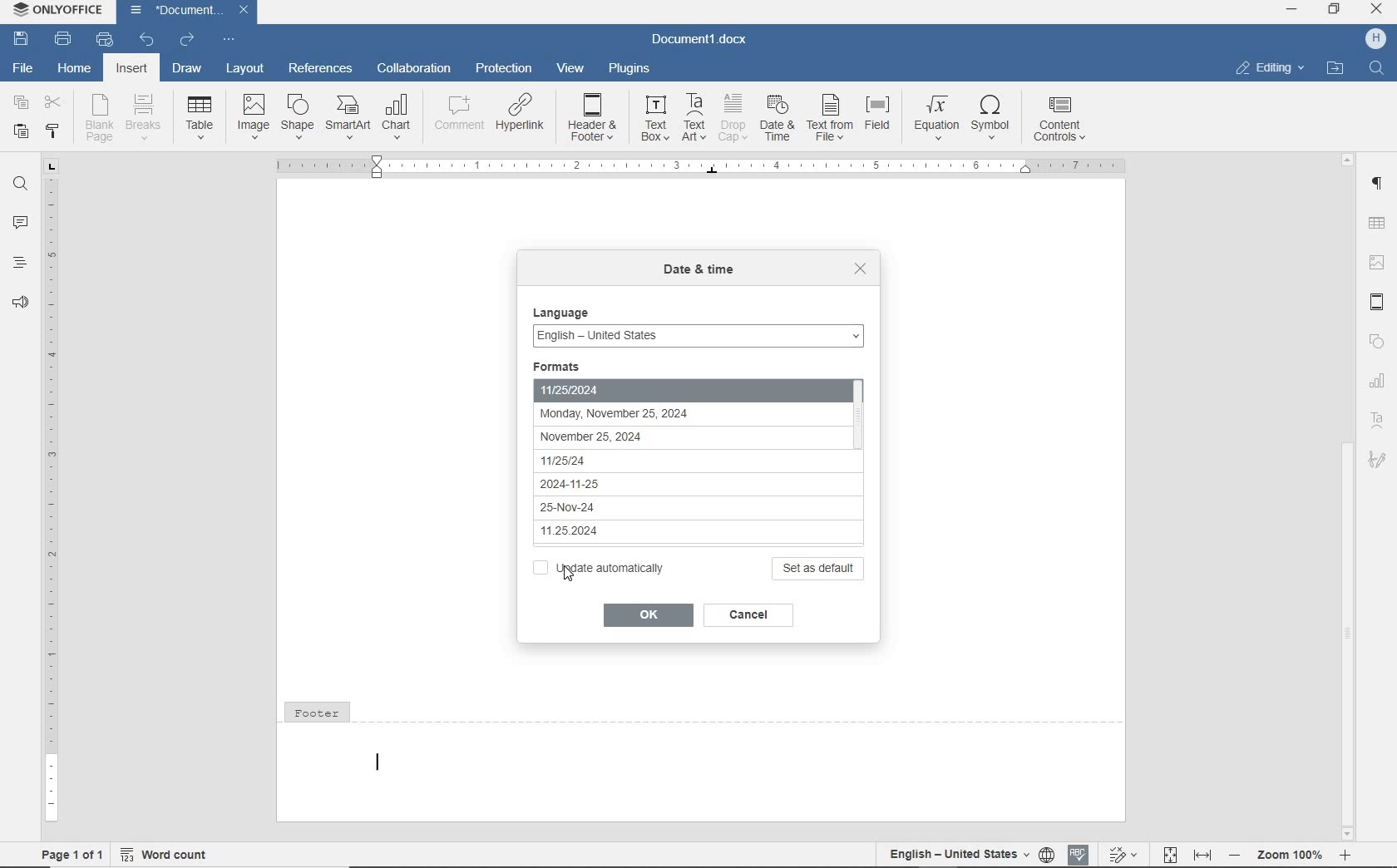 The height and width of the screenshot is (868, 1397). Describe the element at coordinates (457, 114) in the screenshot. I see `comment` at that location.